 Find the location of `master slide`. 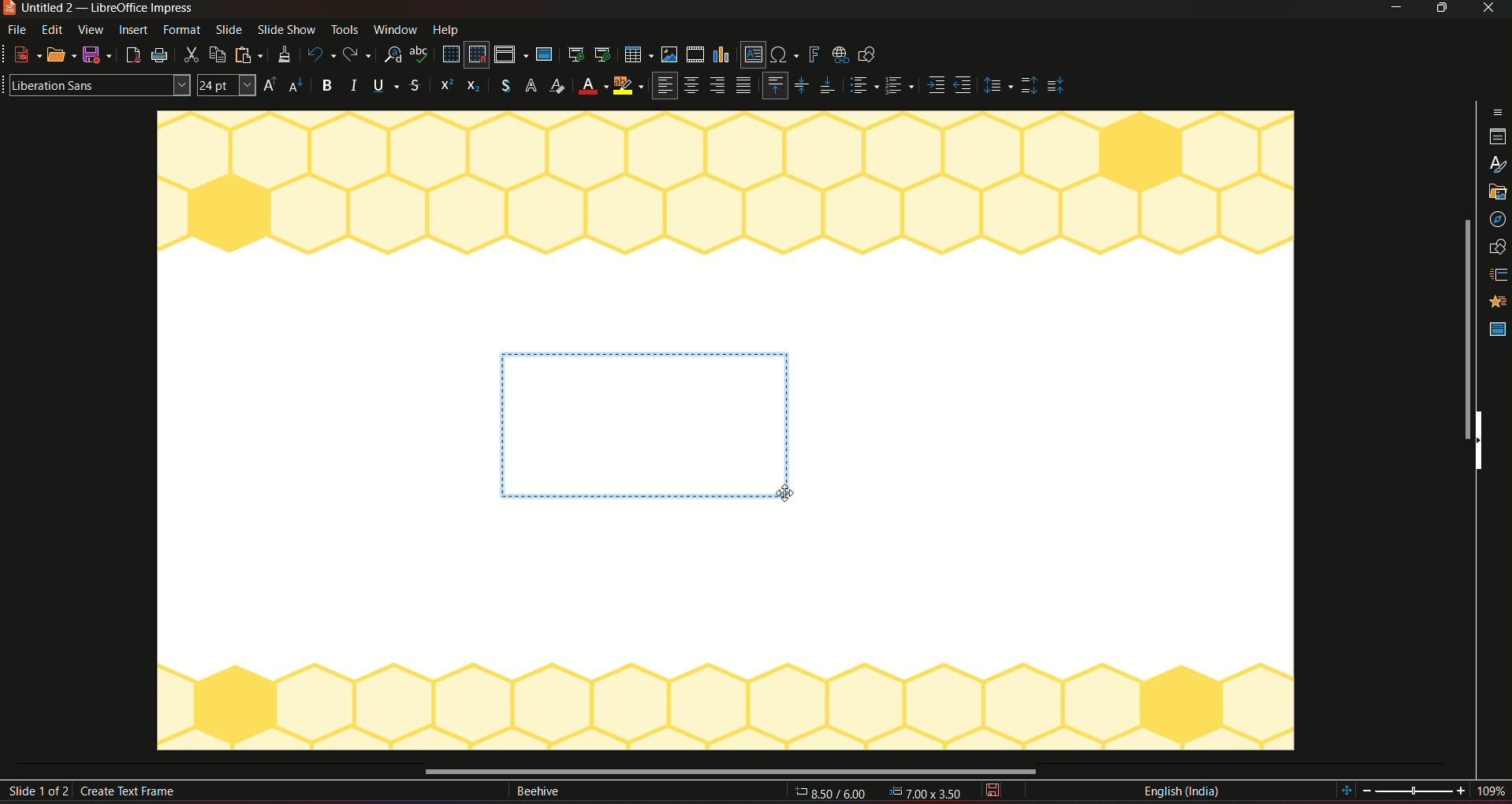

master slide is located at coordinates (1498, 300).